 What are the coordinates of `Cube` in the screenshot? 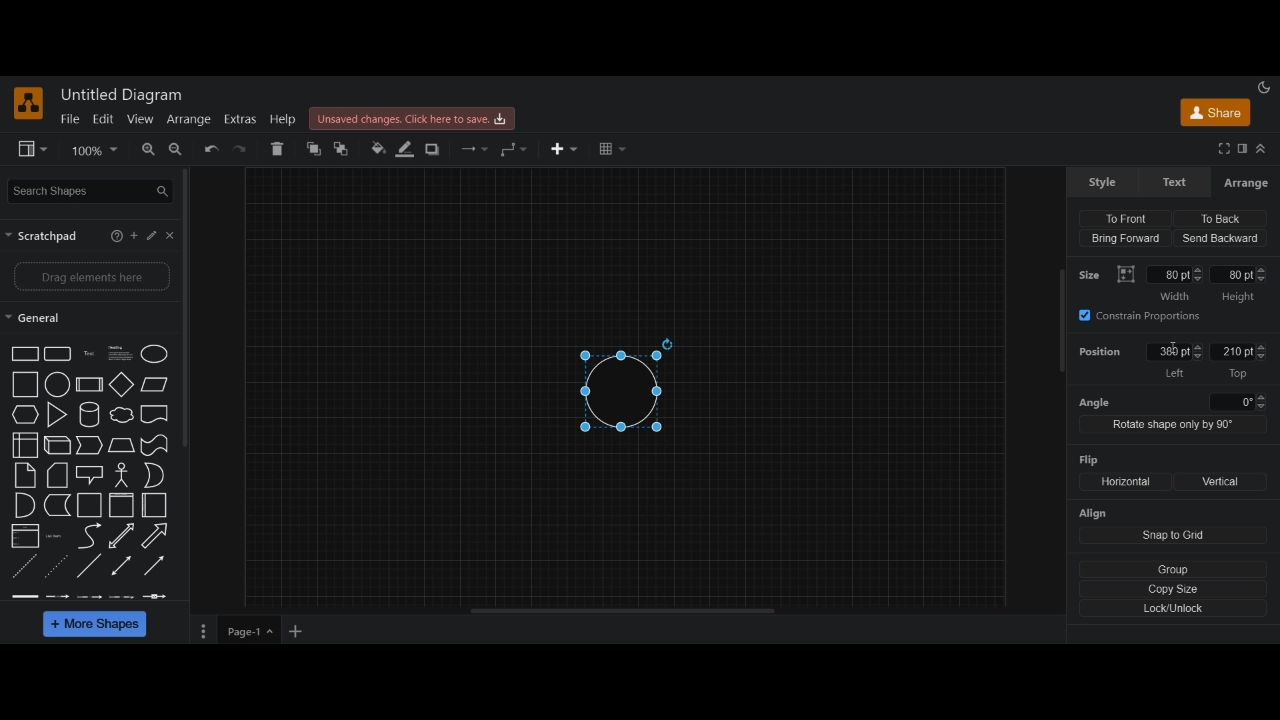 It's located at (89, 384).